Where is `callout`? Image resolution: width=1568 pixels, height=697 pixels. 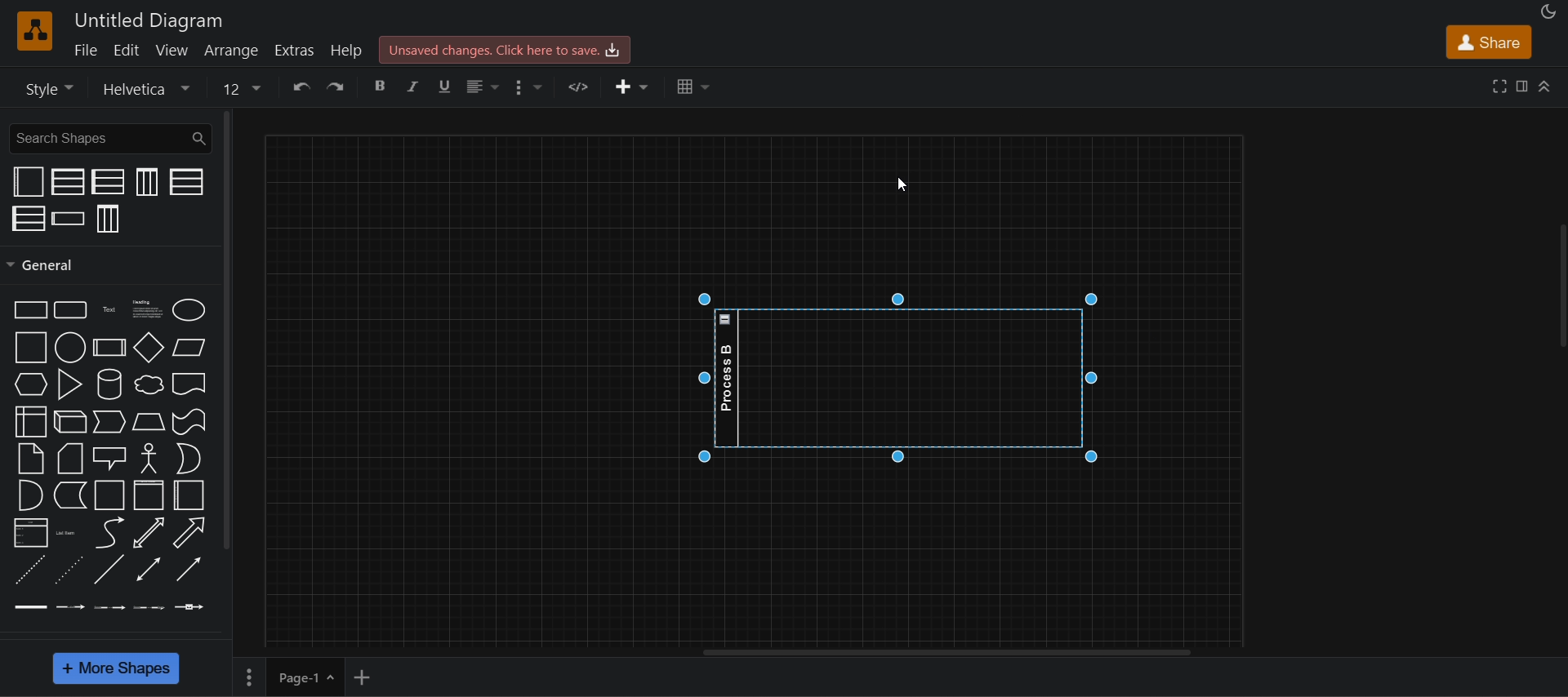 callout is located at coordinates (109, 459).